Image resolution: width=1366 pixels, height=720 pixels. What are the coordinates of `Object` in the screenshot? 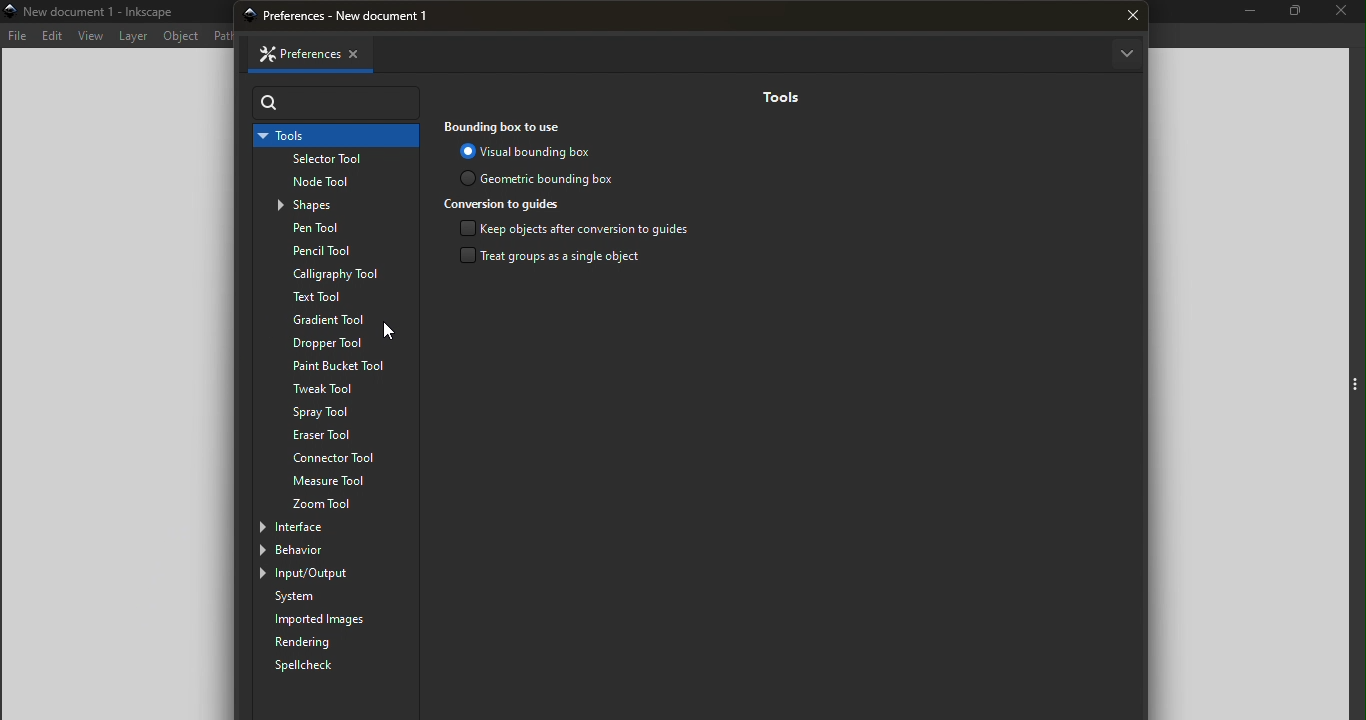 It's located at (183, 36).